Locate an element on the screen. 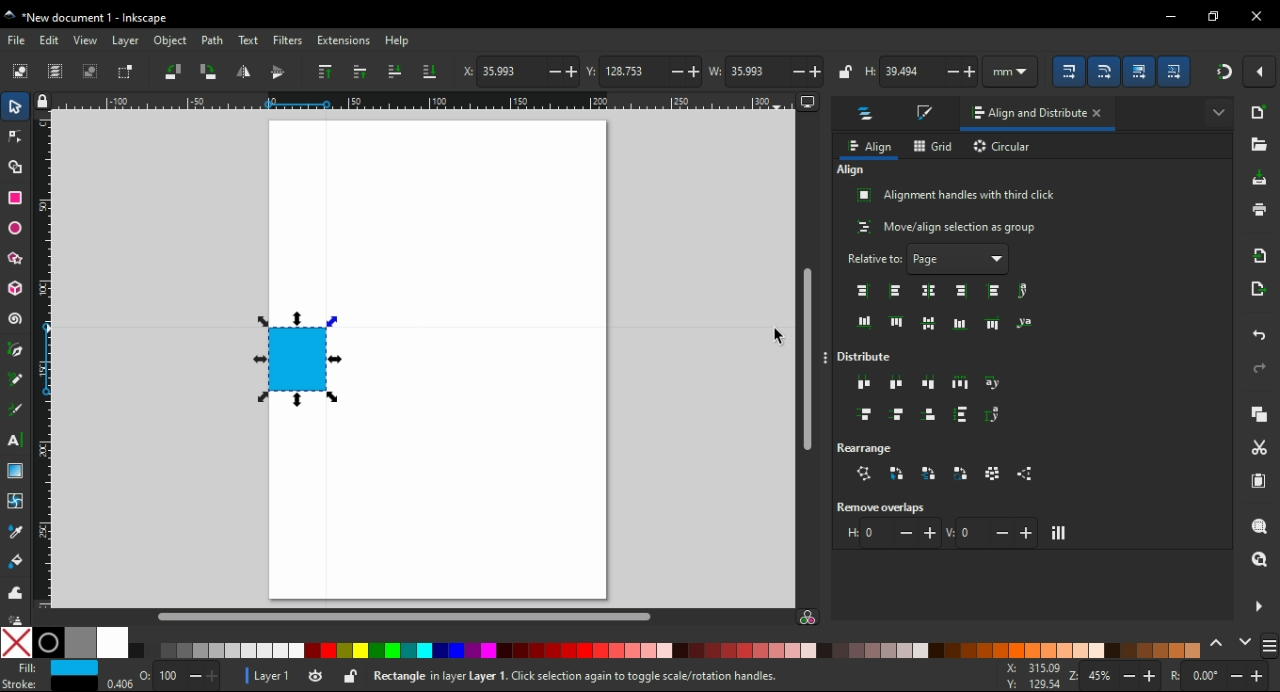 The height and width of the screenshot is (692, 1280). view is located at coordinates (86, 41).